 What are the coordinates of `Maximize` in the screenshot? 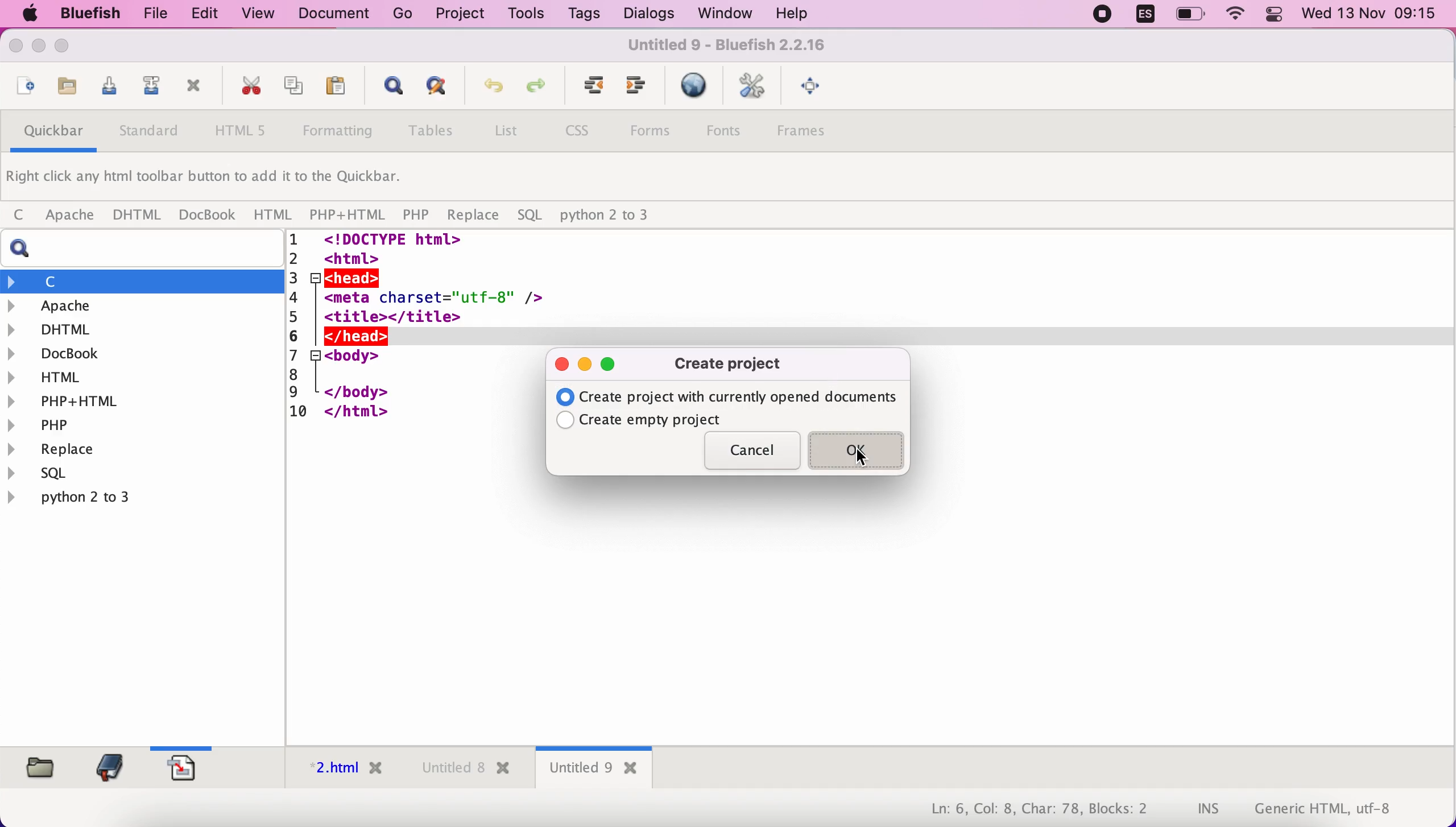 It's located at (68, 47).